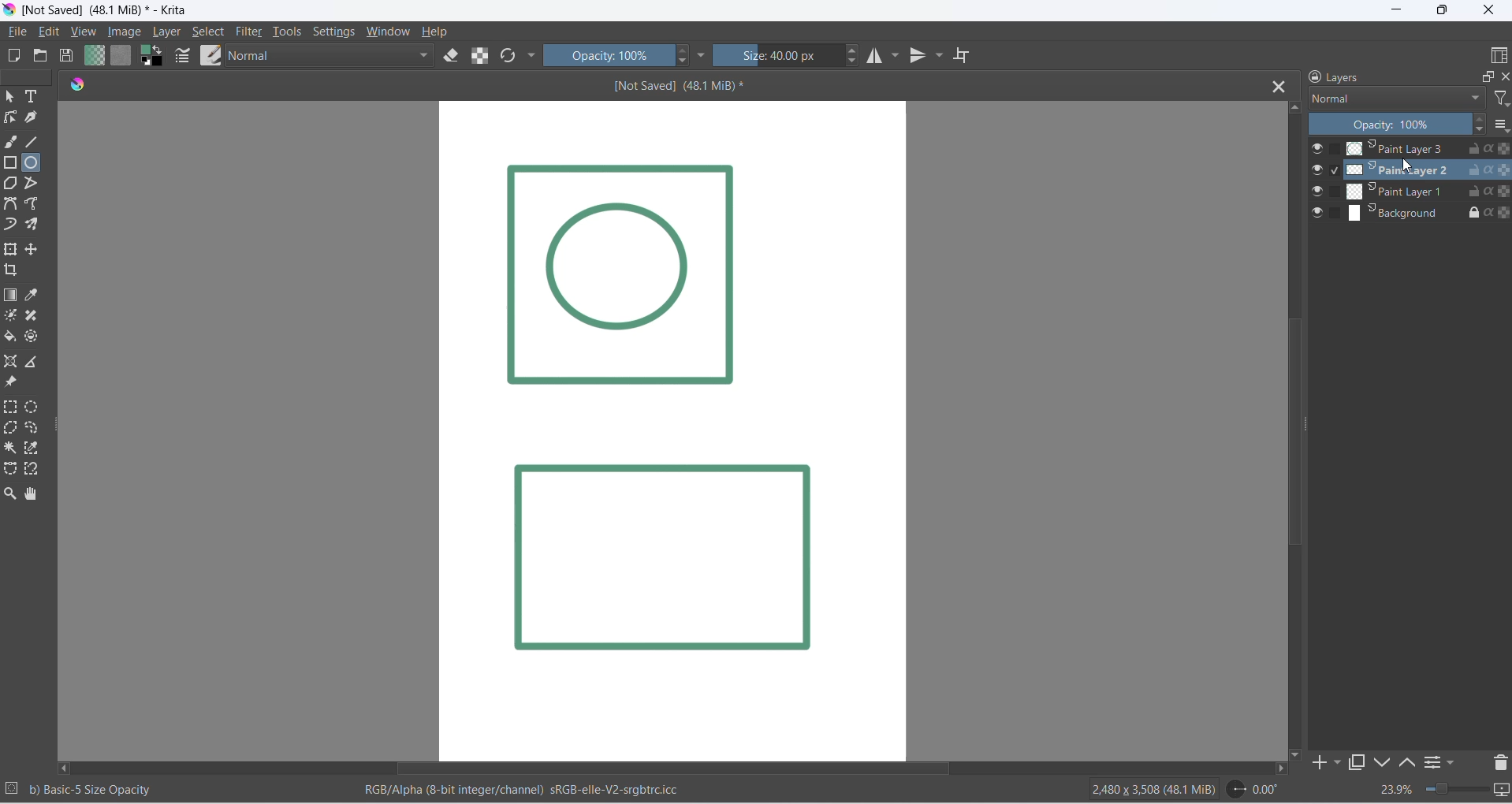  Describe the element at coordinates (13, 184) in the screenshot. I see `polygon tool` at that location.